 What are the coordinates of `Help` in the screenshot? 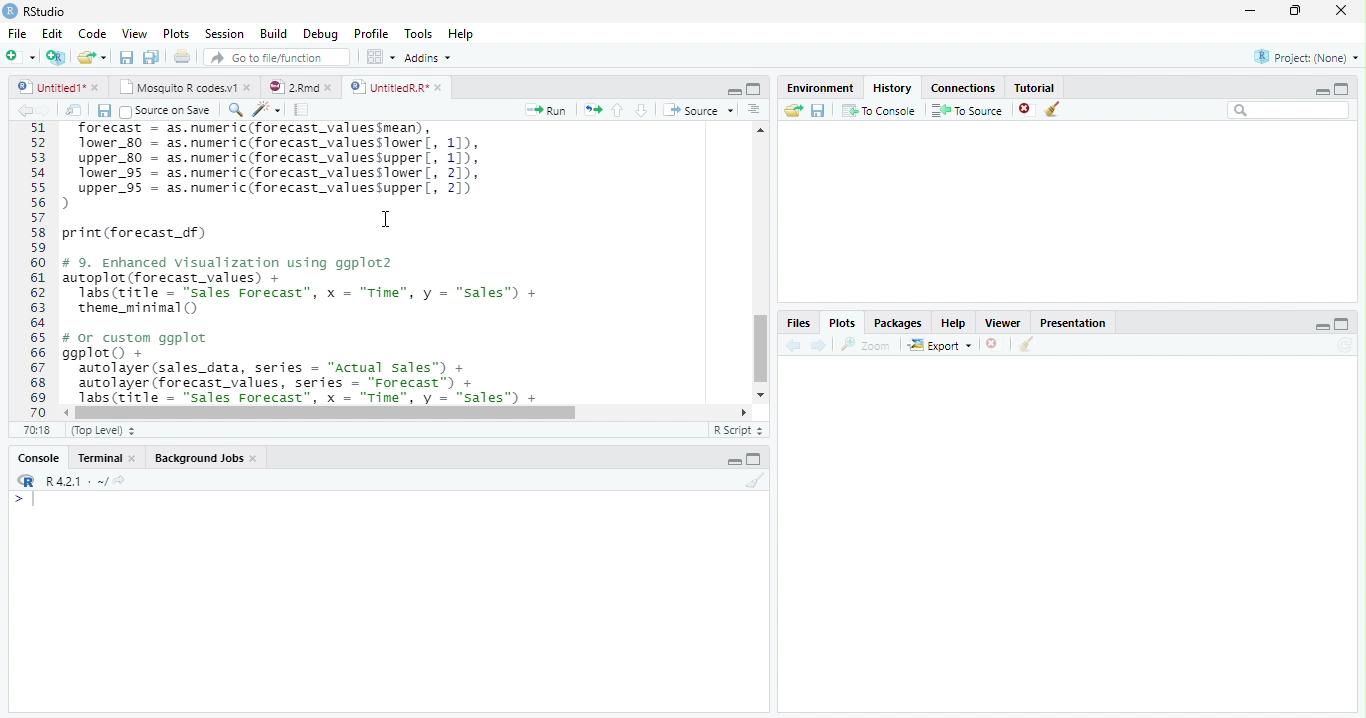 It's located at (955, 324).